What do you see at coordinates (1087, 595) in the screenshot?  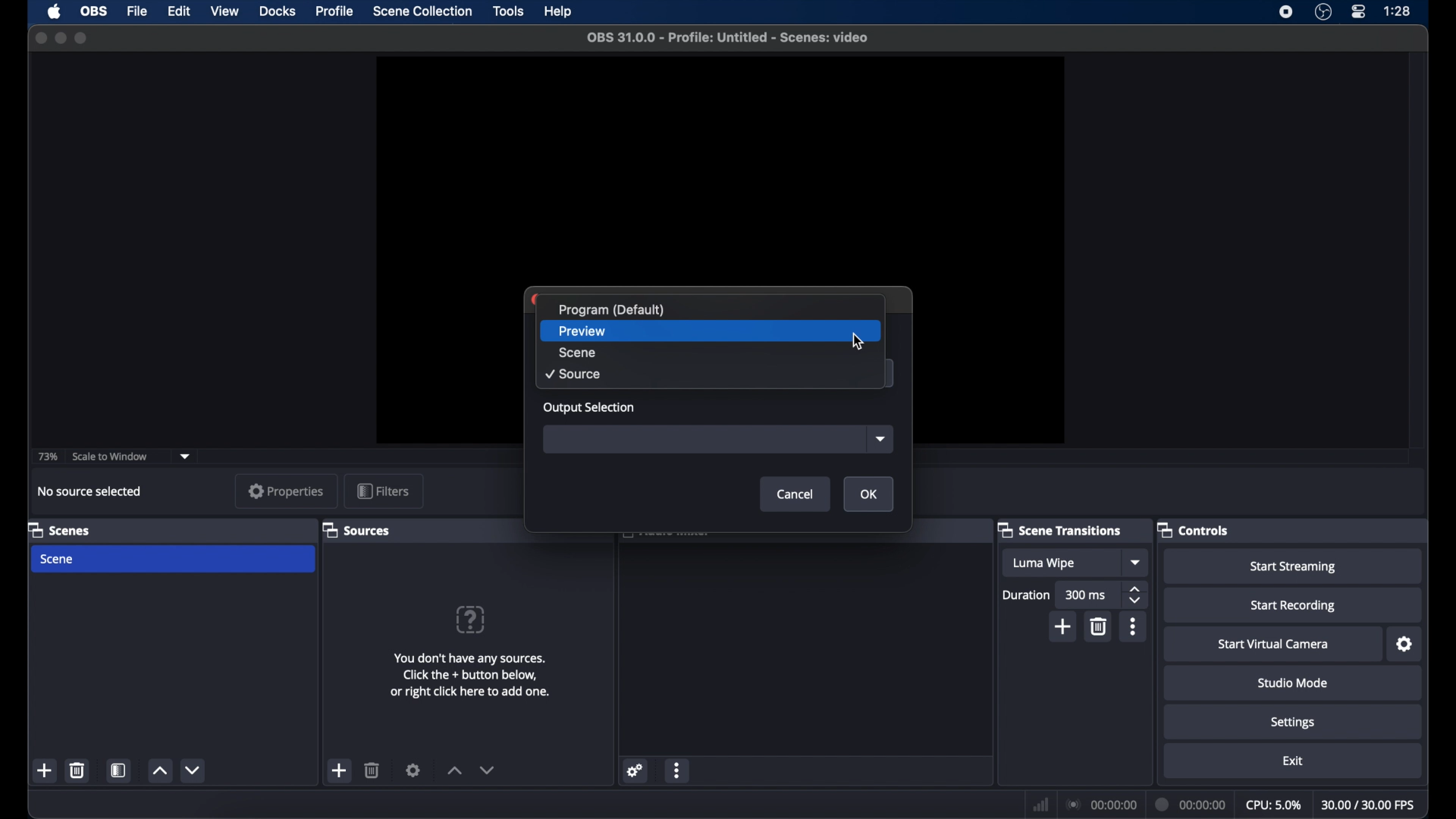 I see `300 ms` at bounding box center [1087, 595].